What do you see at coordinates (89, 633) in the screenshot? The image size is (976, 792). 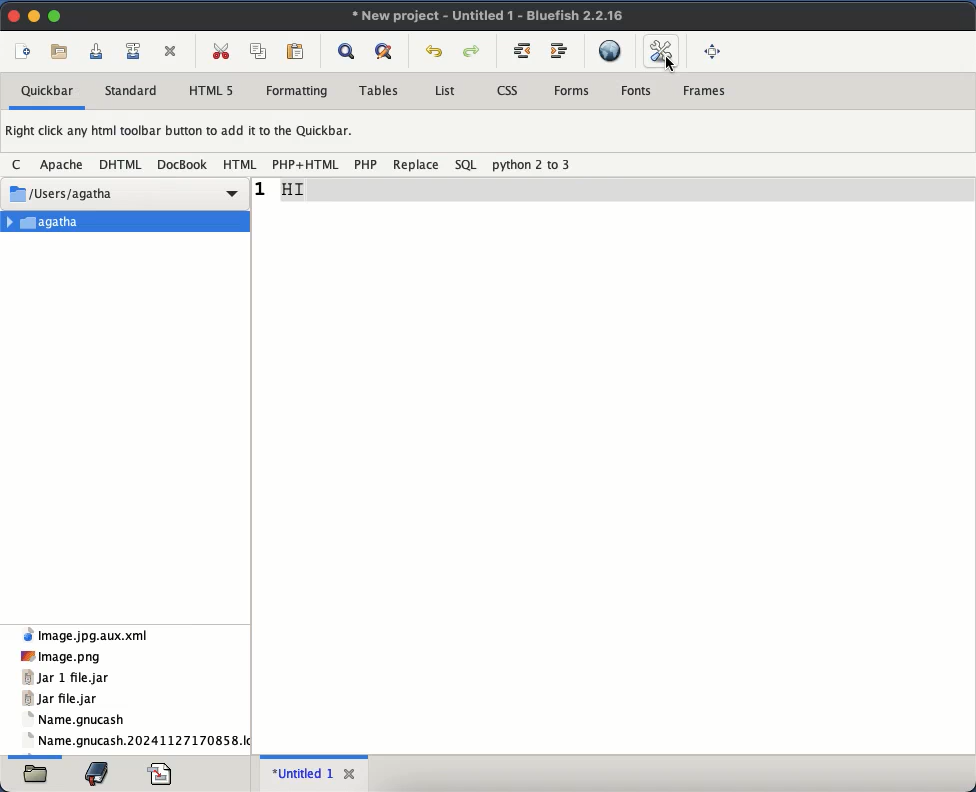 I see `xml` at bounding box center [89, 633].